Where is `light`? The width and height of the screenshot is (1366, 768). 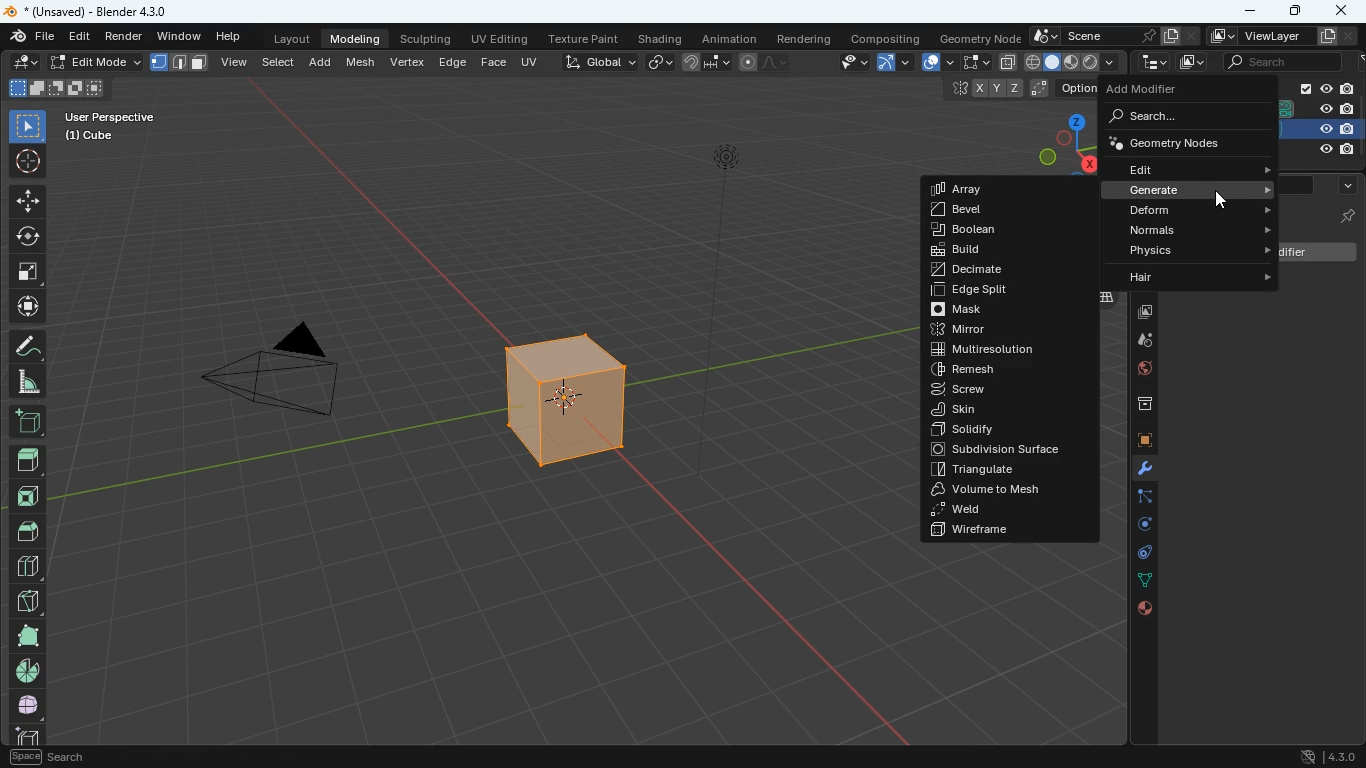
light is located at coordinates (1326, 151).